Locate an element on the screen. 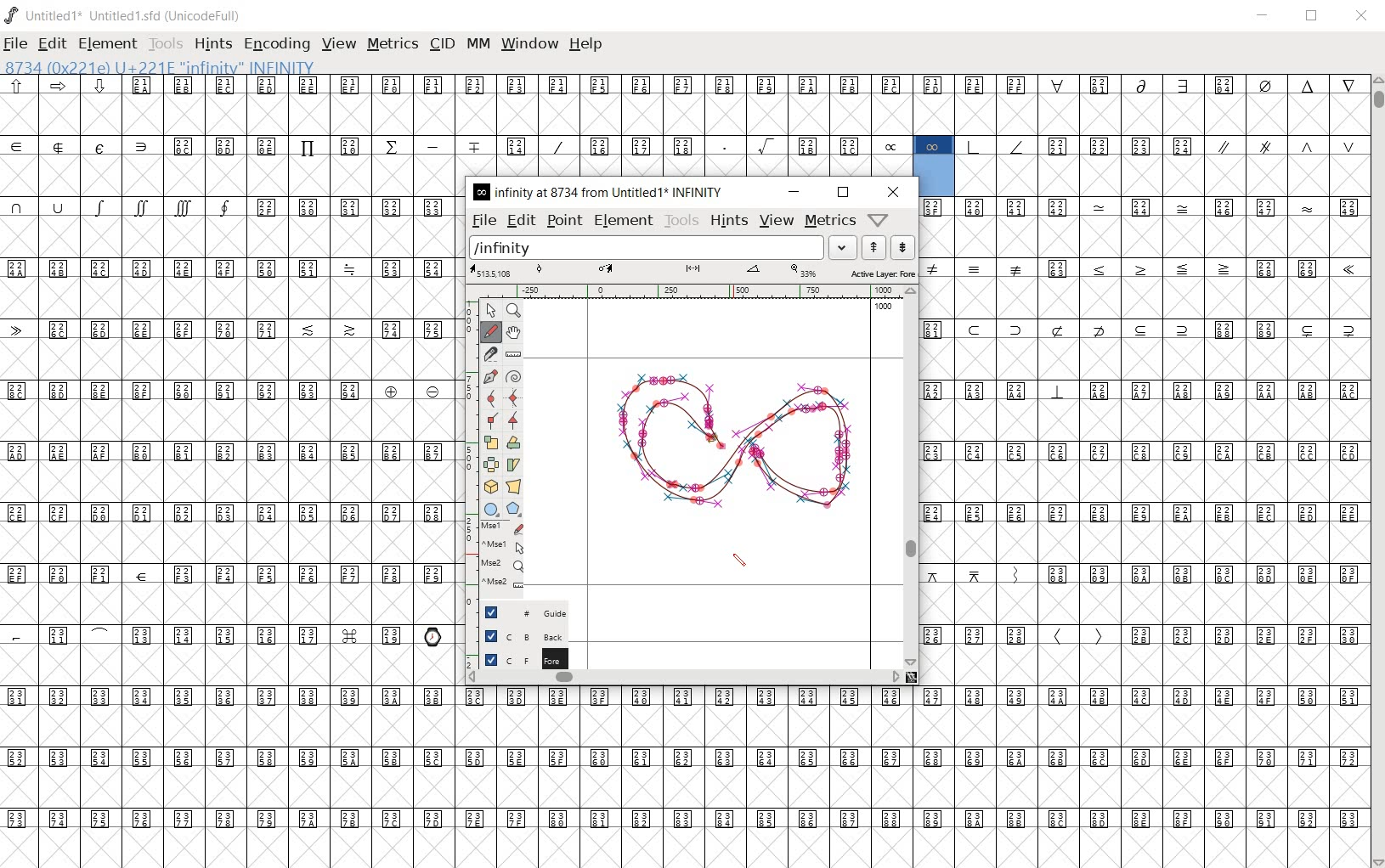  rotate the selection in 3D and project back to plane is located at coordinates (489, 486).